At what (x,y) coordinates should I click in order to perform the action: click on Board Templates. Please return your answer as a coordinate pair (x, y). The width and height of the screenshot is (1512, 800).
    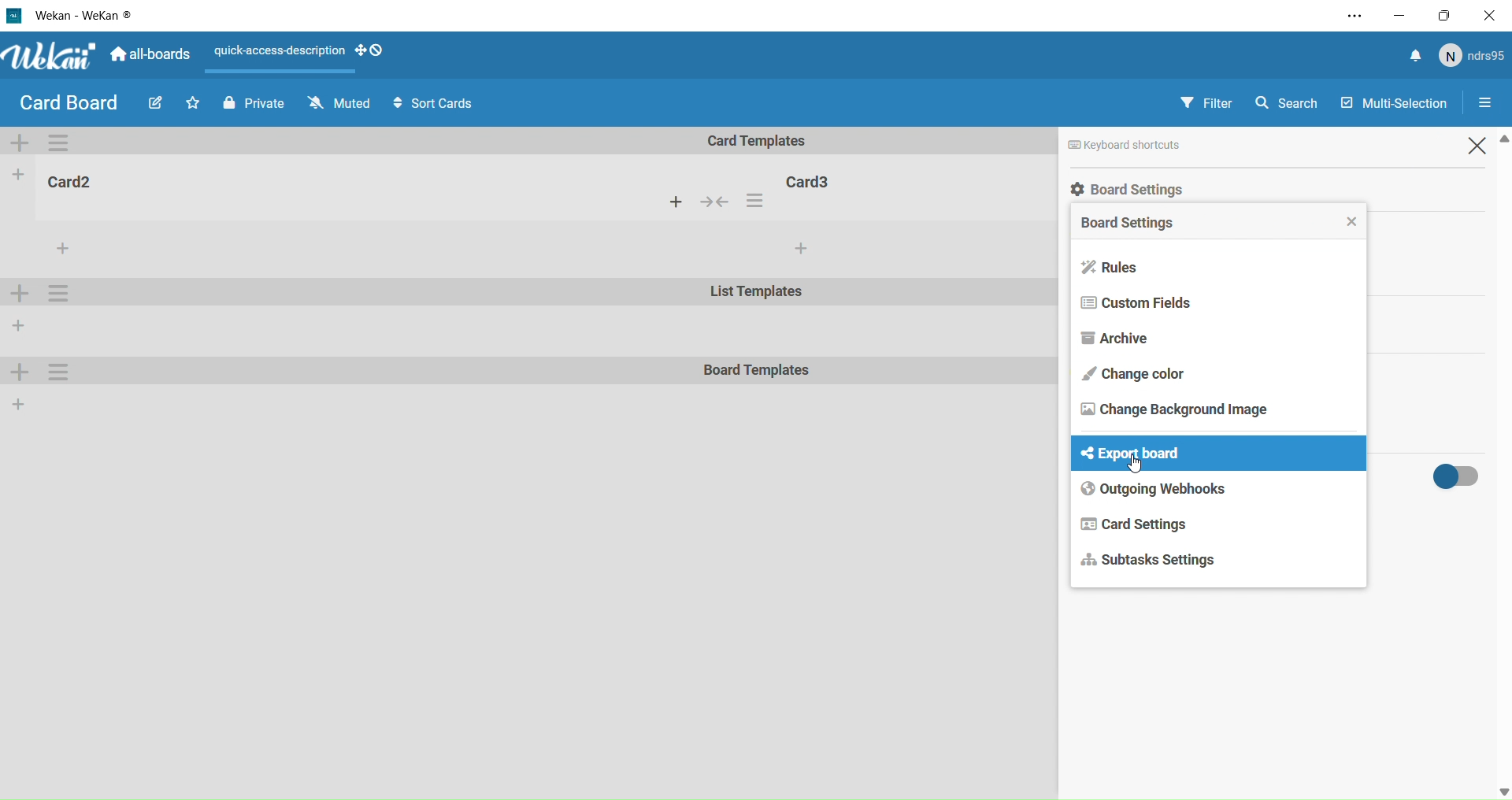
    Looking at the image, I should click on (758, 372).